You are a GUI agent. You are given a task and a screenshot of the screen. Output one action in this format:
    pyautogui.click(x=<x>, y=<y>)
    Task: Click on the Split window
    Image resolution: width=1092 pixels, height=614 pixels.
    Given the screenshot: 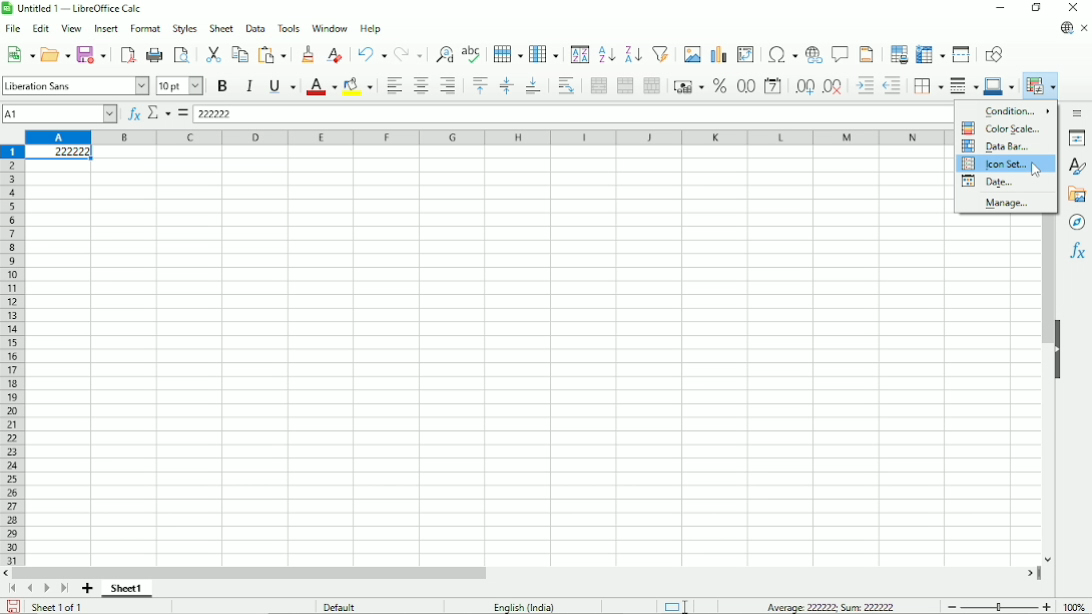 What is the action you would take?
    pyautogui.click(x=961, y=54)
    